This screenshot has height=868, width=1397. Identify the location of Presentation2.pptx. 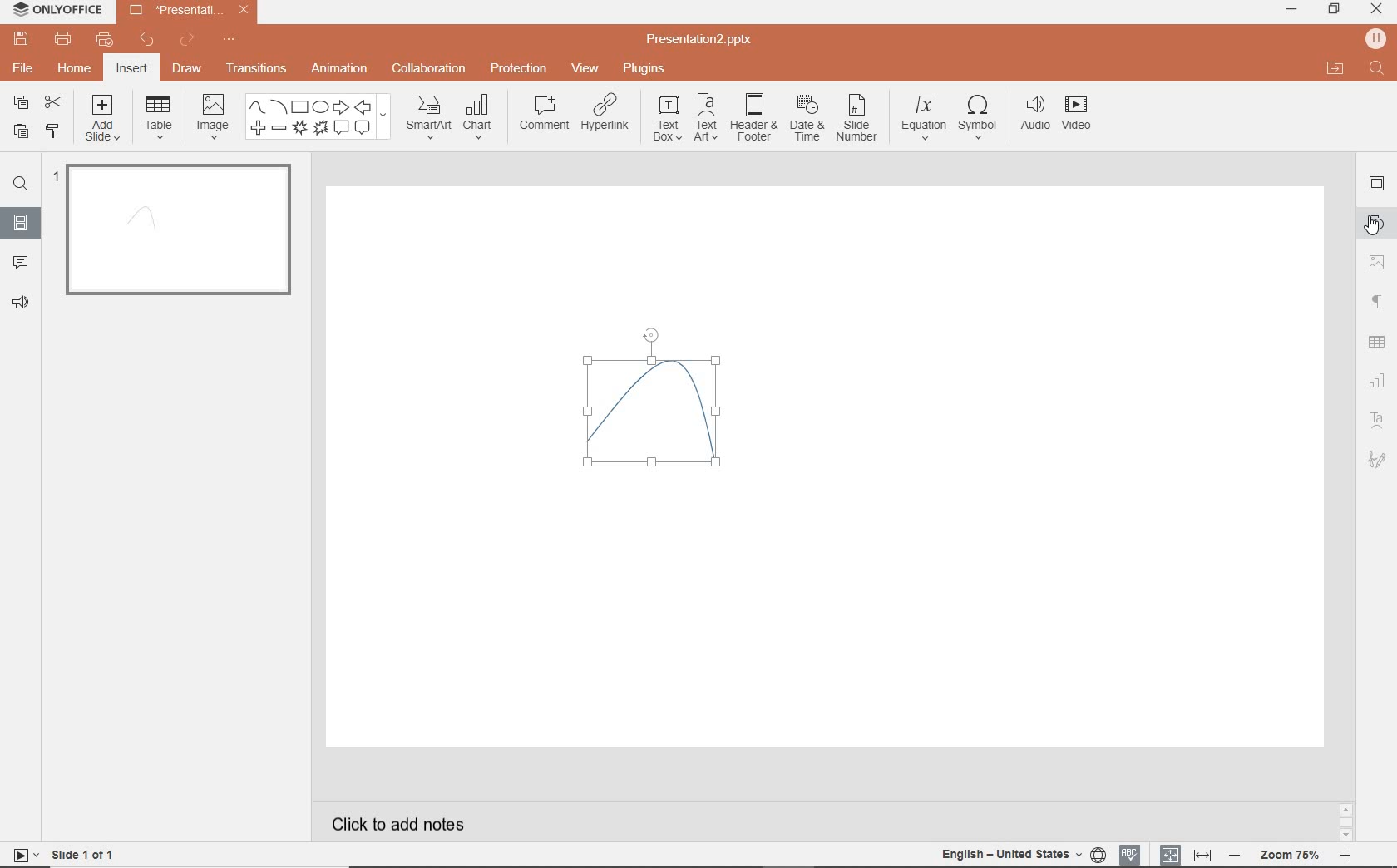
(189, 13).